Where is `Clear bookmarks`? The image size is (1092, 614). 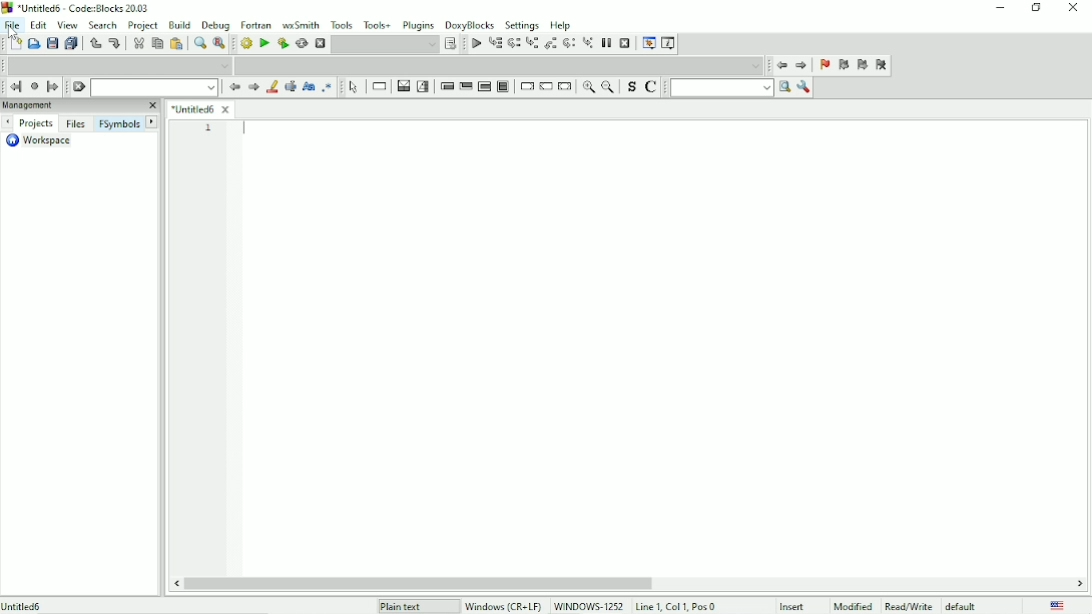 Clear bookmarks is located at coordinates (881, 65).